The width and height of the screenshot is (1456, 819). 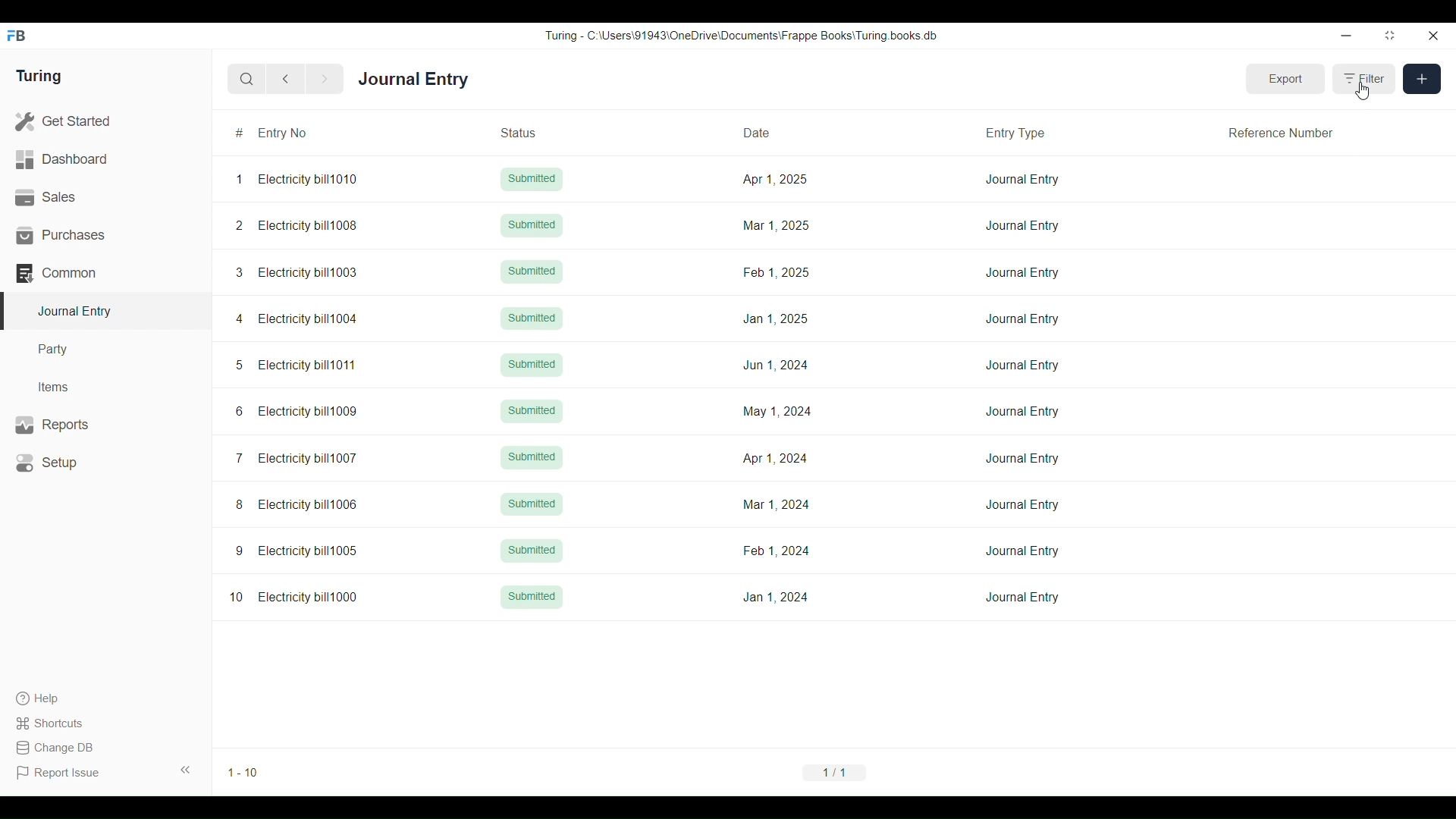 What do you see at coordinates (531, 503) in the screenshot?
I see `Submitted` at bounding box center [531, 503].